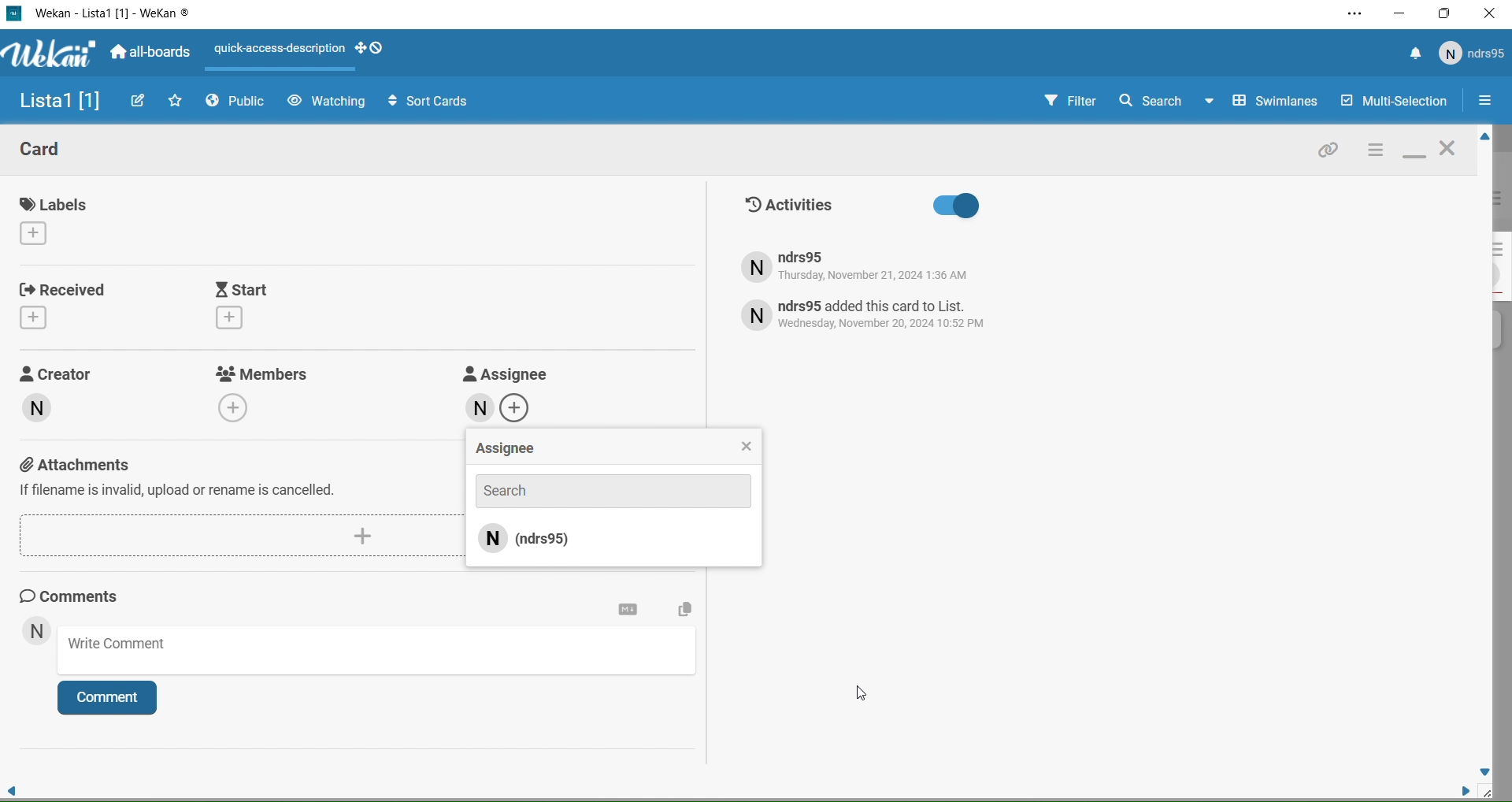 This screenshot has height=802, width=1512. I want to click on Options, so click(1484, 102).